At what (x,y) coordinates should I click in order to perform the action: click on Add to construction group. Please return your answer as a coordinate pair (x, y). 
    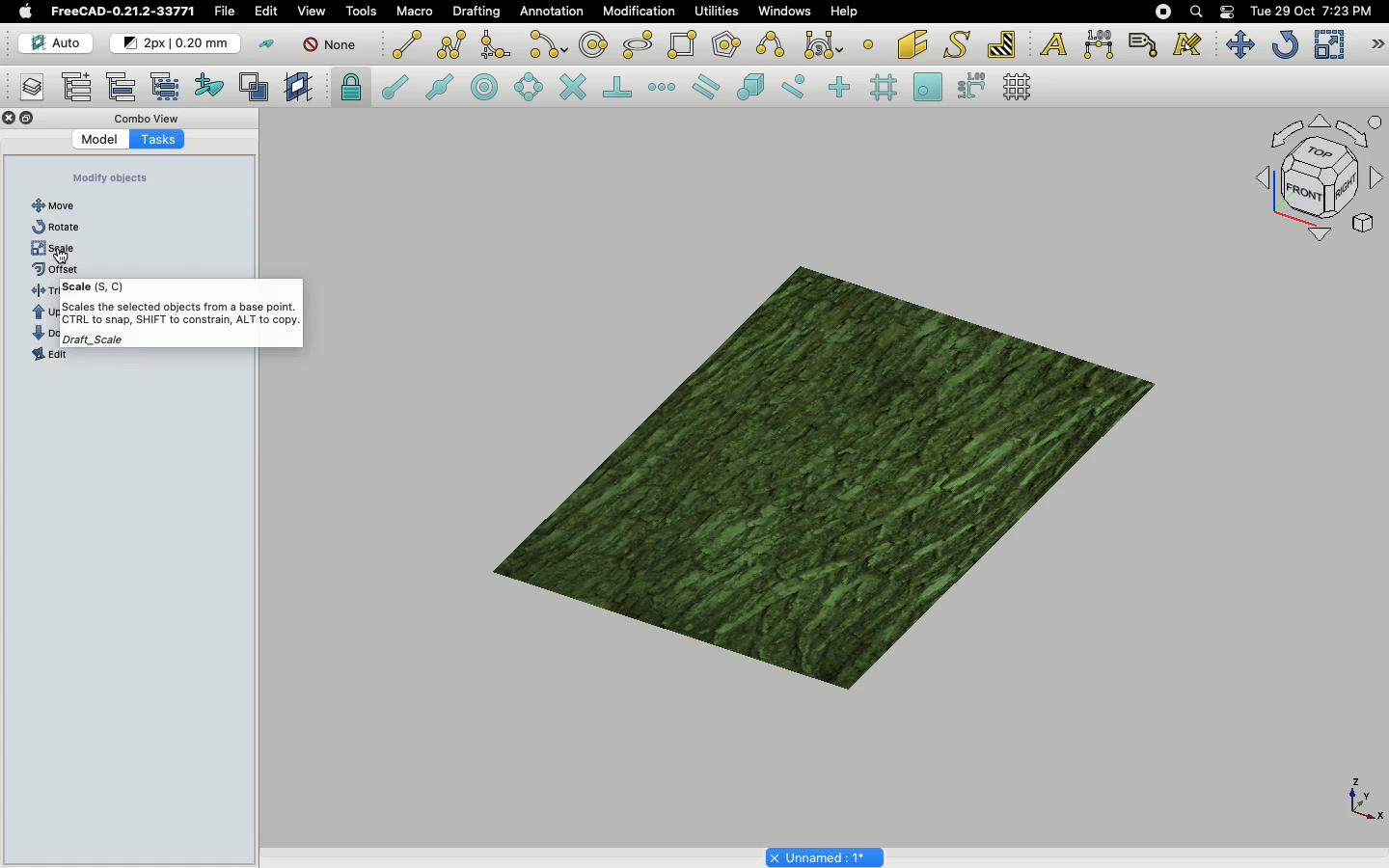
    Looking at the image, I should click on (210, 89).